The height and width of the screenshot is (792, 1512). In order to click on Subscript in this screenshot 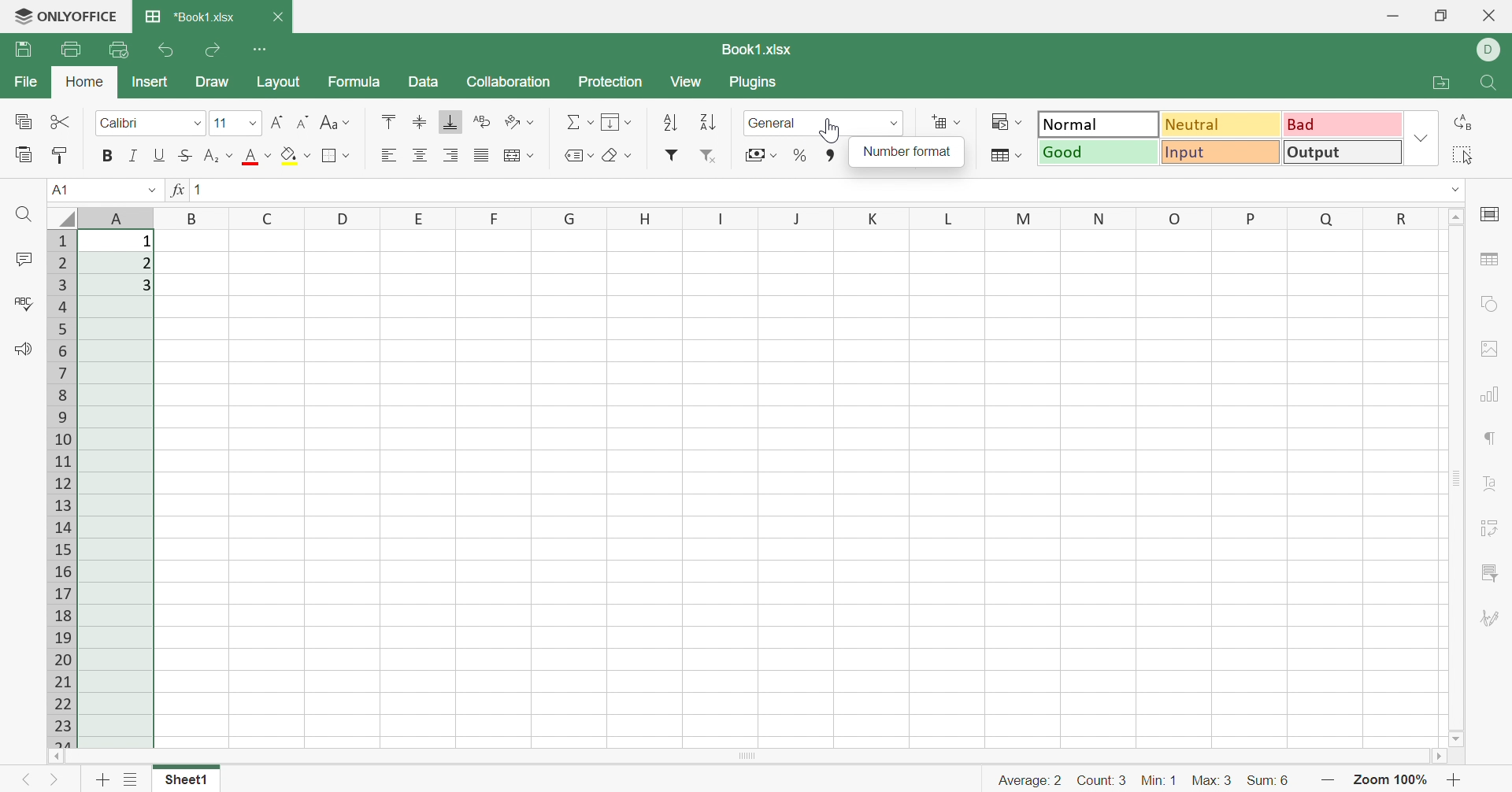, I will do `click(217, 156)`.